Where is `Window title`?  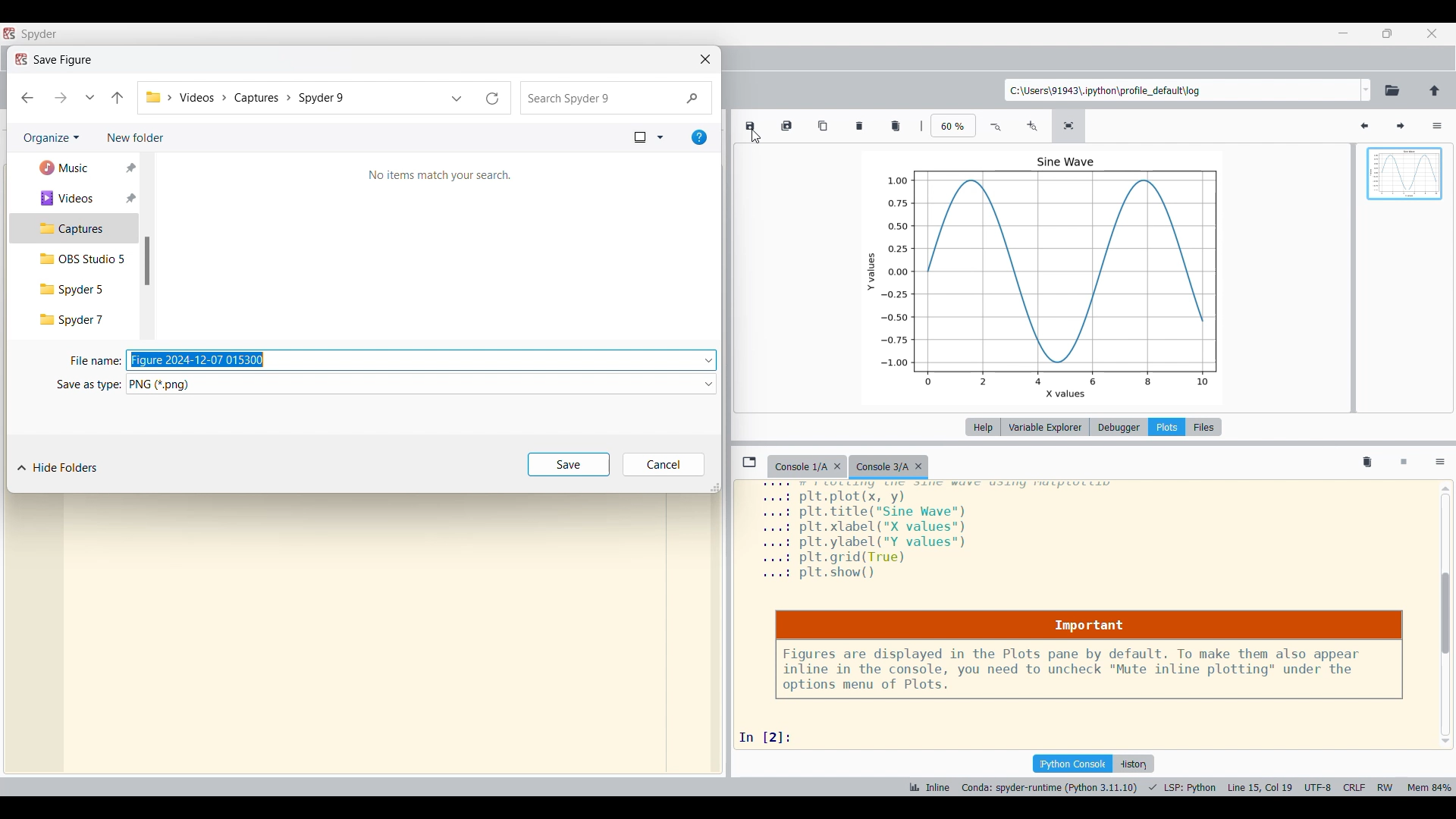
Window title is located at coordinates (55, 60).